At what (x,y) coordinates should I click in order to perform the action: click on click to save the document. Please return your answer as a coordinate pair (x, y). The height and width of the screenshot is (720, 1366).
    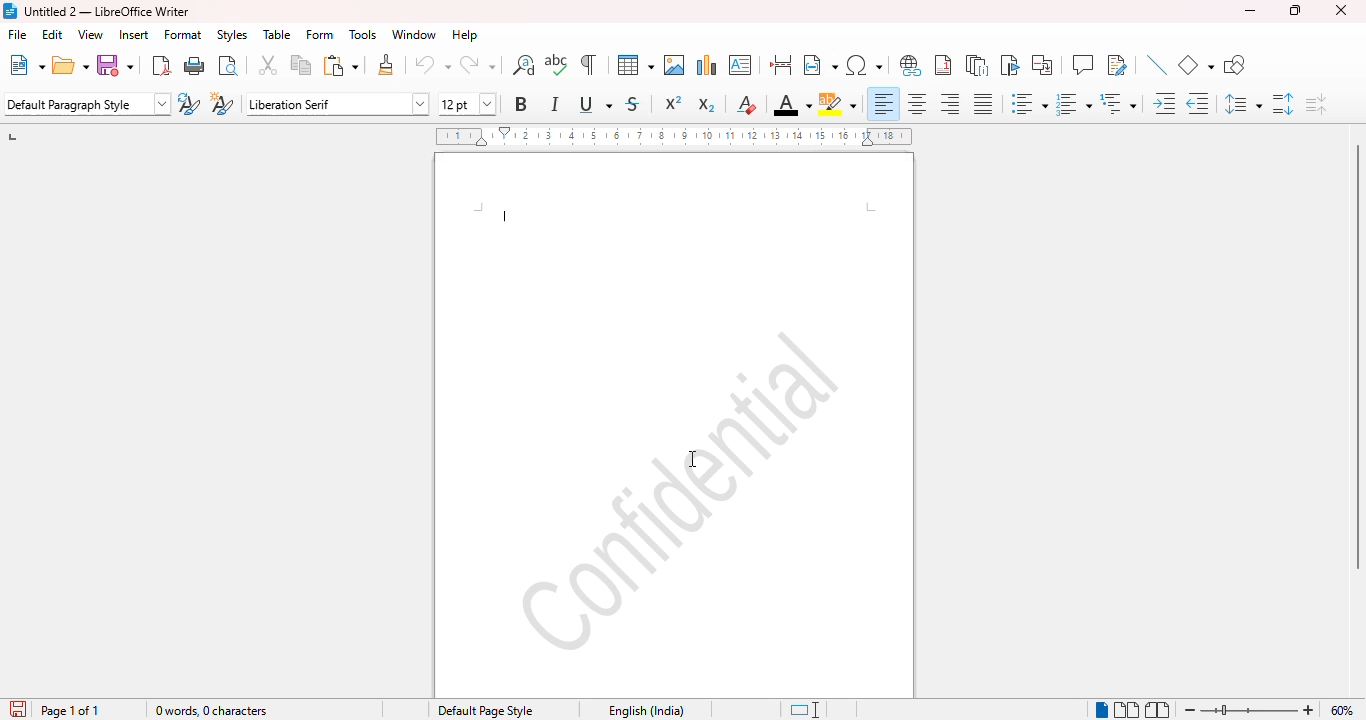
    Looking at the image, I should click on (18, 709).